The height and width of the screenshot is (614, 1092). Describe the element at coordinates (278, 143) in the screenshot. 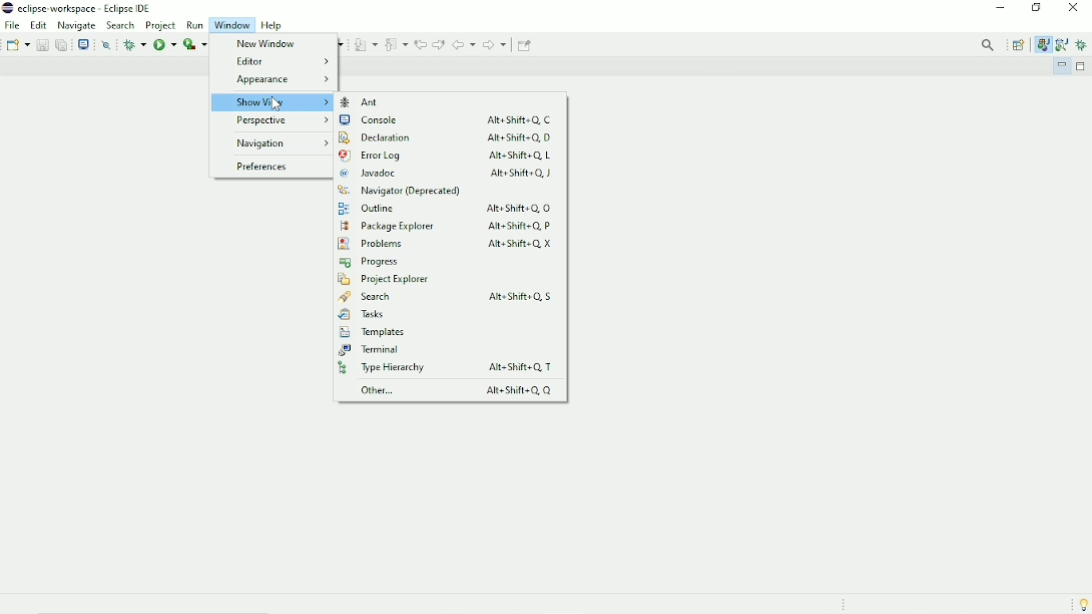

I see `Navigation` at that location.